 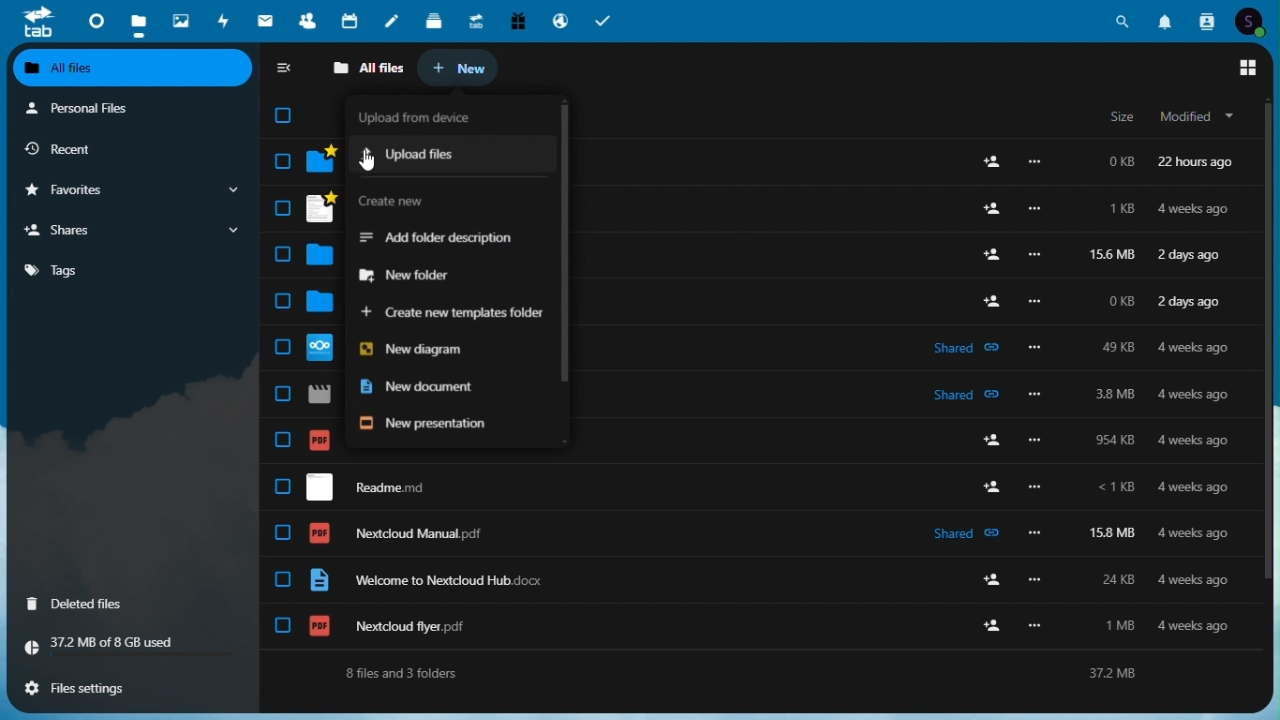 I want to click on more options, so click(x=1035, y=393).